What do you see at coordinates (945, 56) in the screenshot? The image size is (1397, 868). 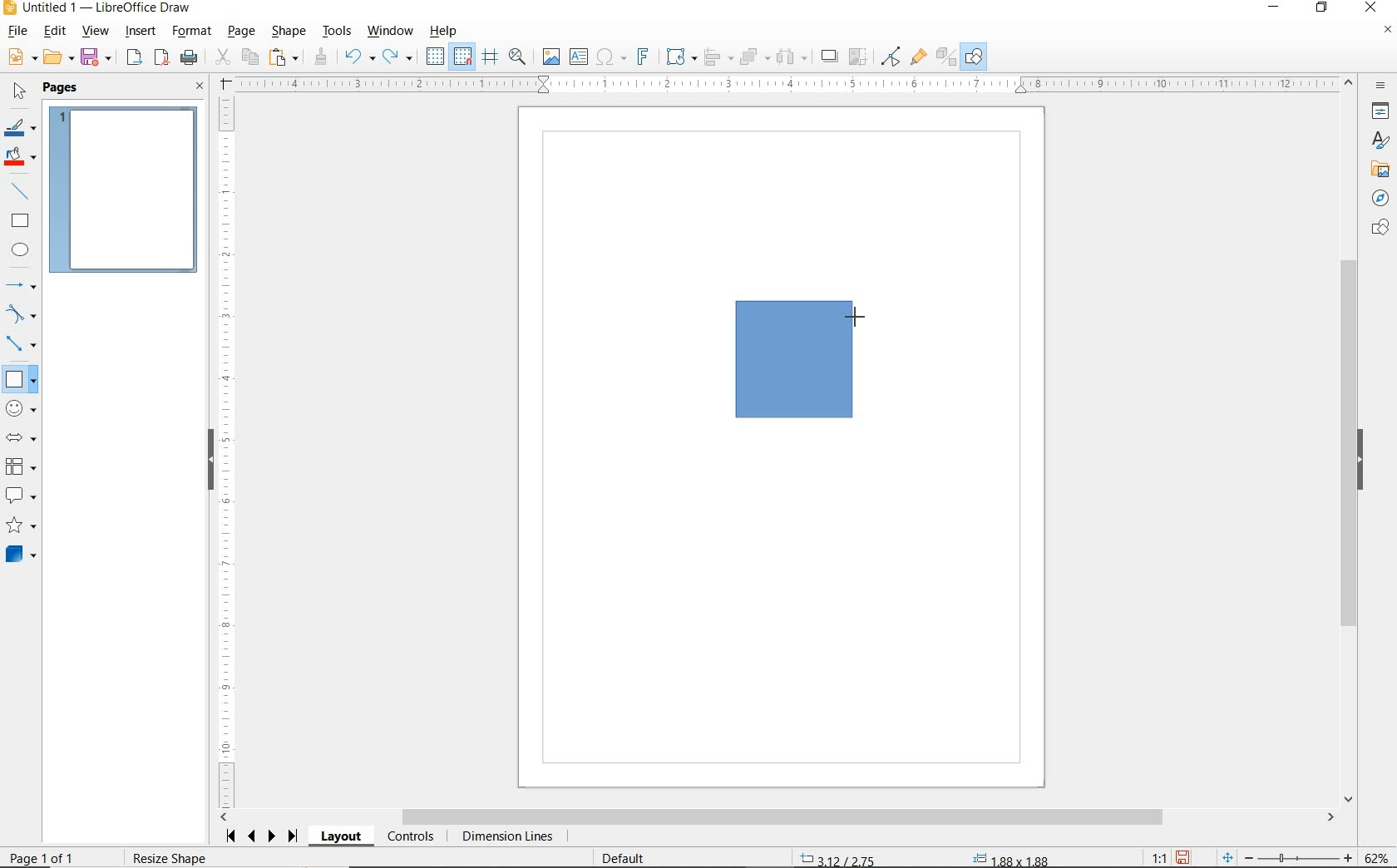 I see `TOGGLE EXTRUSION` at bounding box center [945, 56].